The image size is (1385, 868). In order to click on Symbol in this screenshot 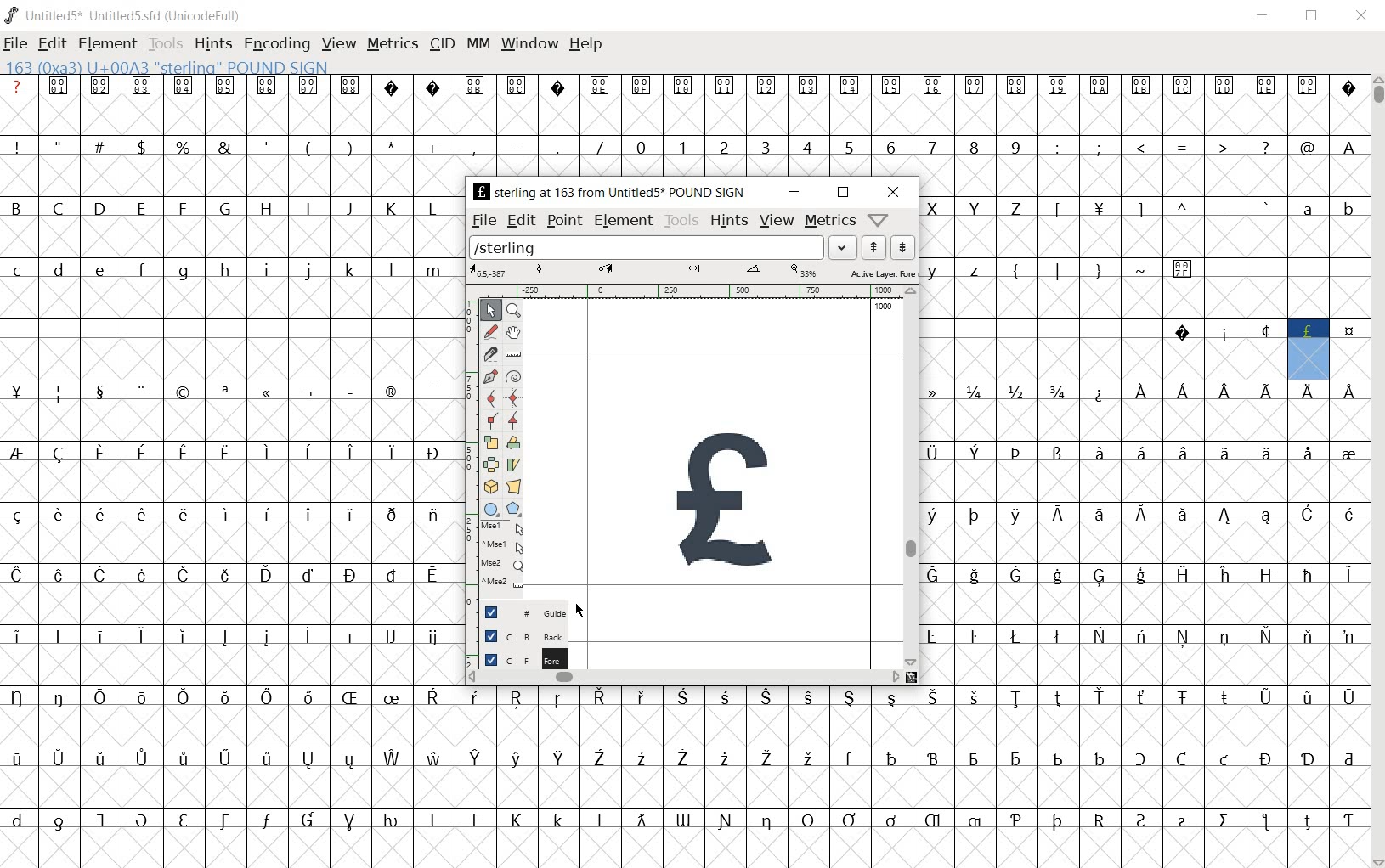, I will do `click(1267, 635)`.